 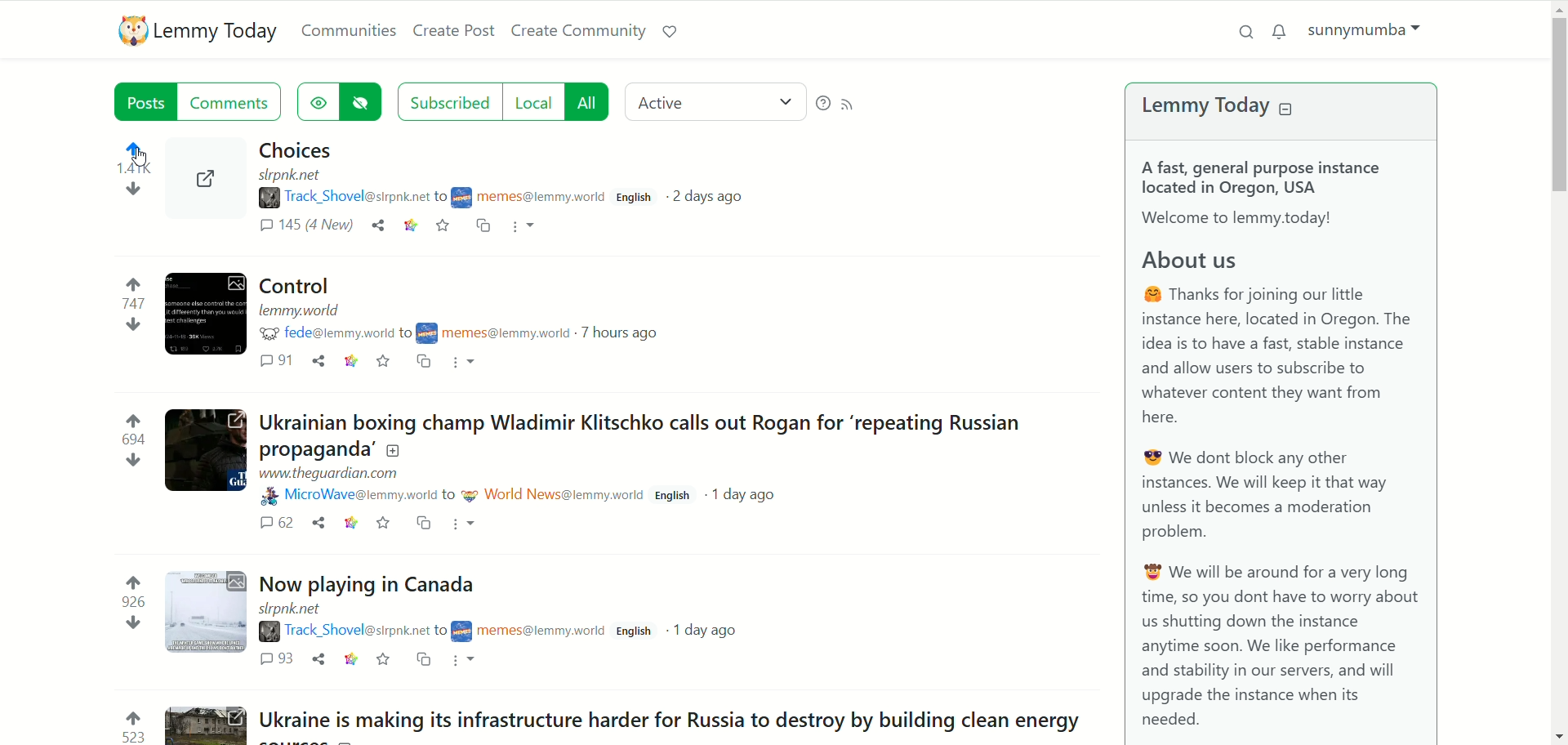 What do you see at coordinates (448, 101) in the screenshot?
I see `subscribed` at bounding box center [448, 101].